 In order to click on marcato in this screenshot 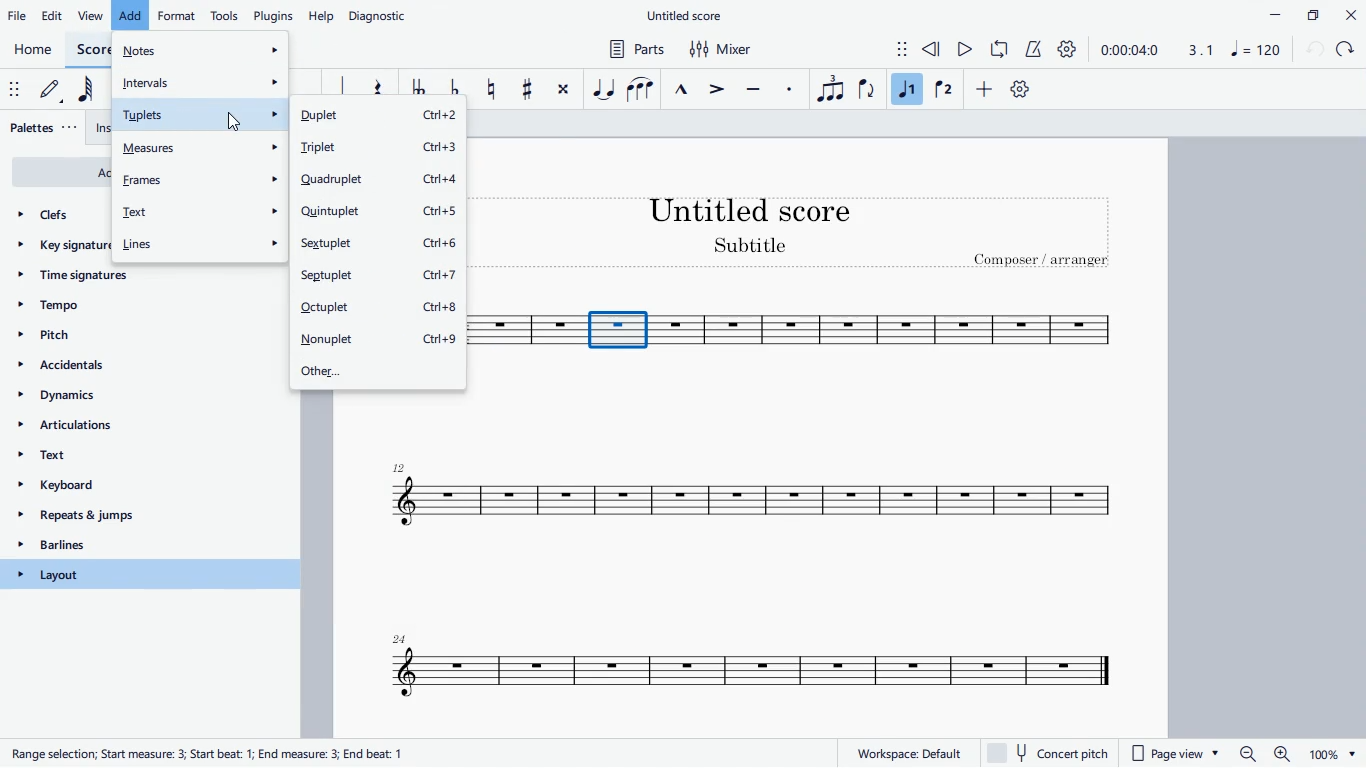, I will do `click(685, 87)`.